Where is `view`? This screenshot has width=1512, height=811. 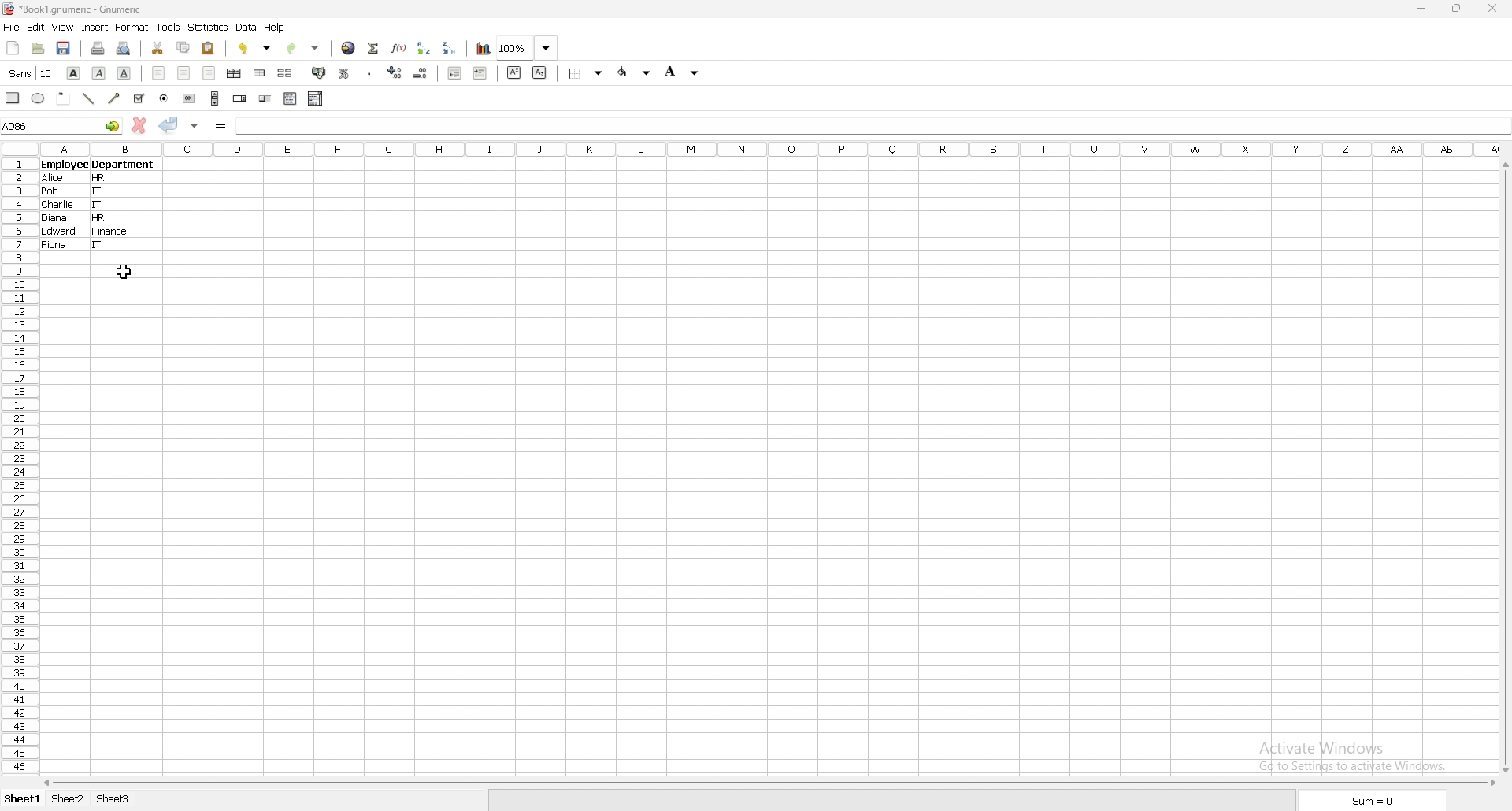 view is located at coordinates (62, 27).